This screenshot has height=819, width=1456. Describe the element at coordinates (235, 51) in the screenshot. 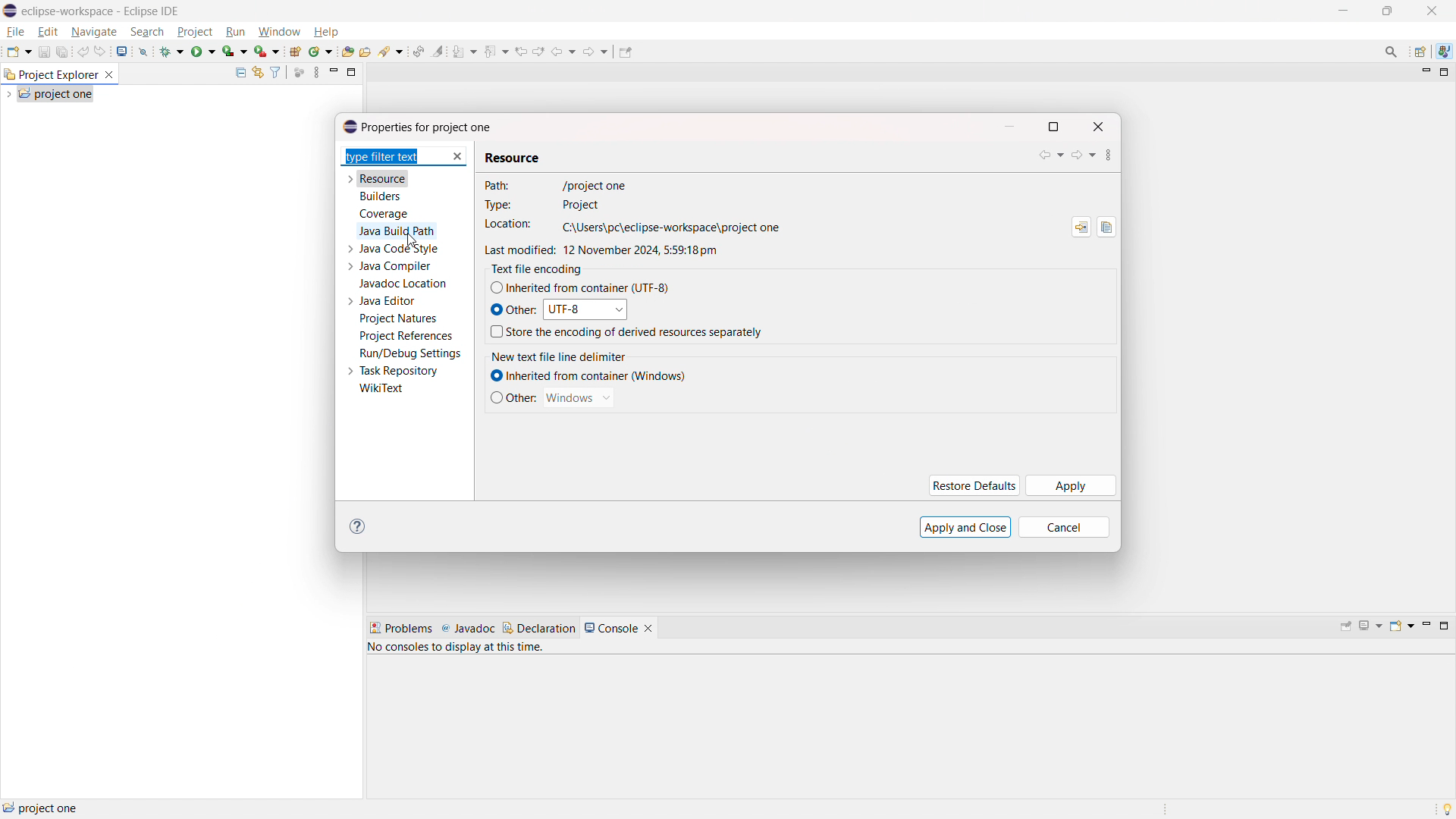

I see `coverage` at that location.